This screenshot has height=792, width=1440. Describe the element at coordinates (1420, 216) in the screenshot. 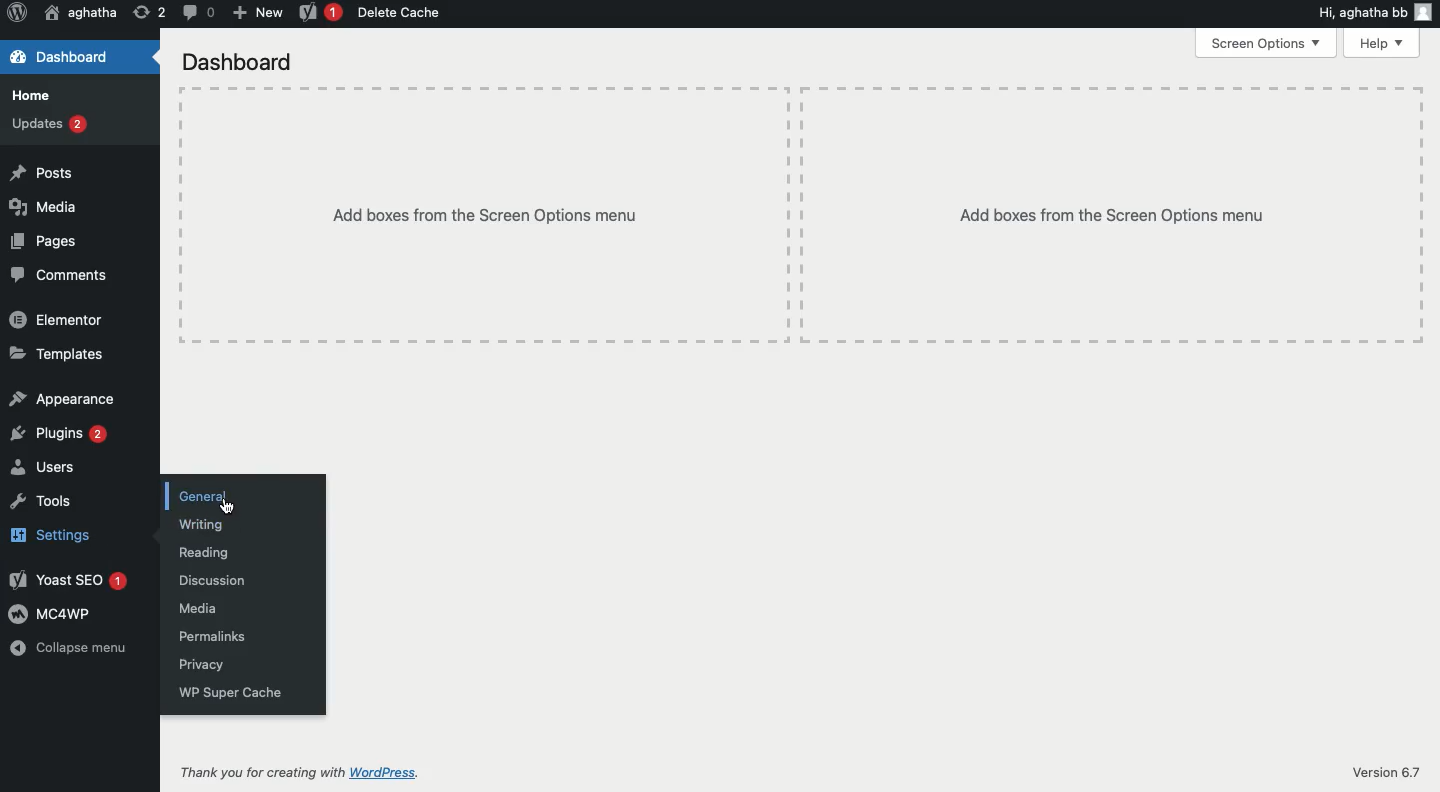

I see `Table line` at that location.